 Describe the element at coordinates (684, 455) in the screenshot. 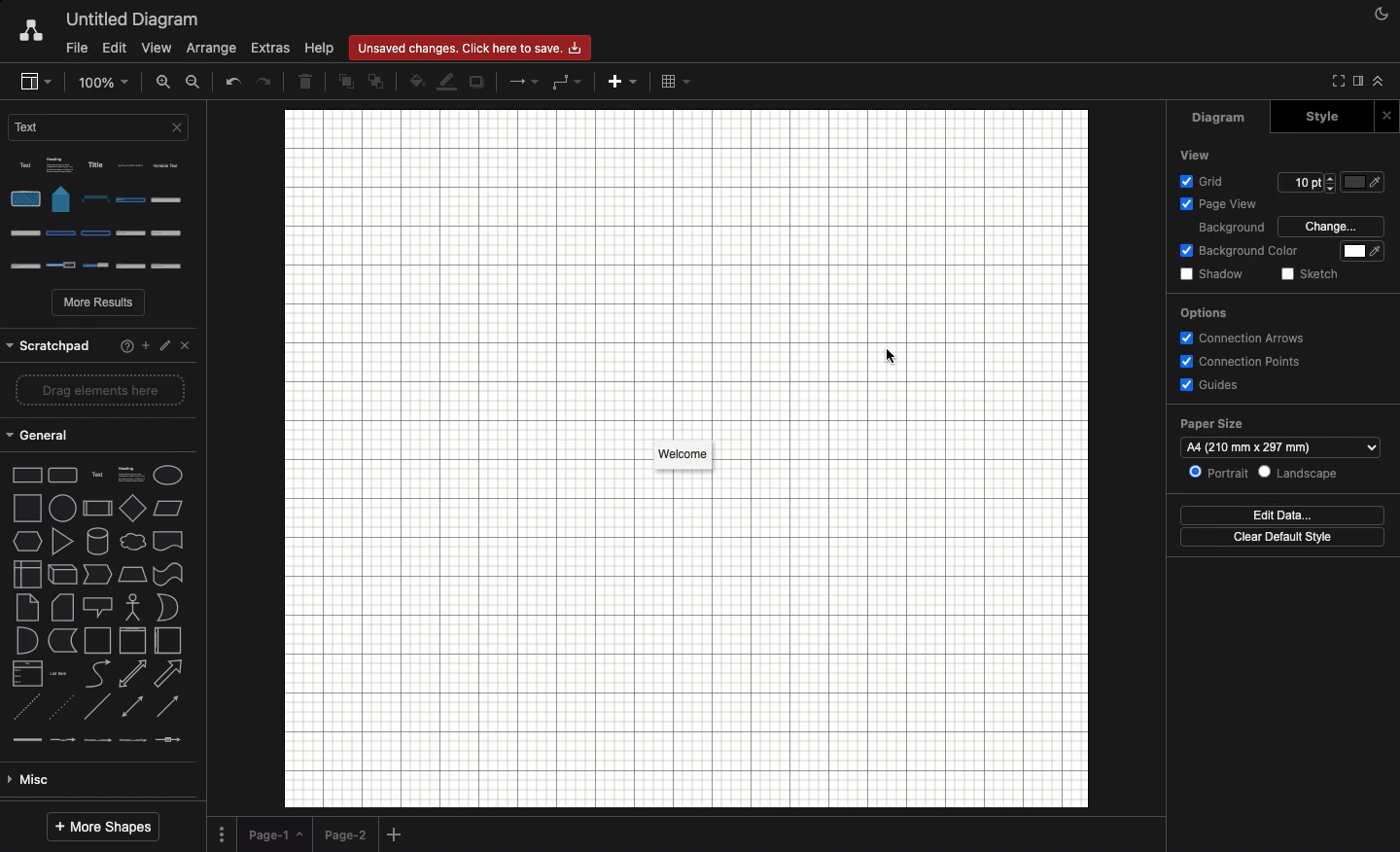

I see `Style selected` at that location.